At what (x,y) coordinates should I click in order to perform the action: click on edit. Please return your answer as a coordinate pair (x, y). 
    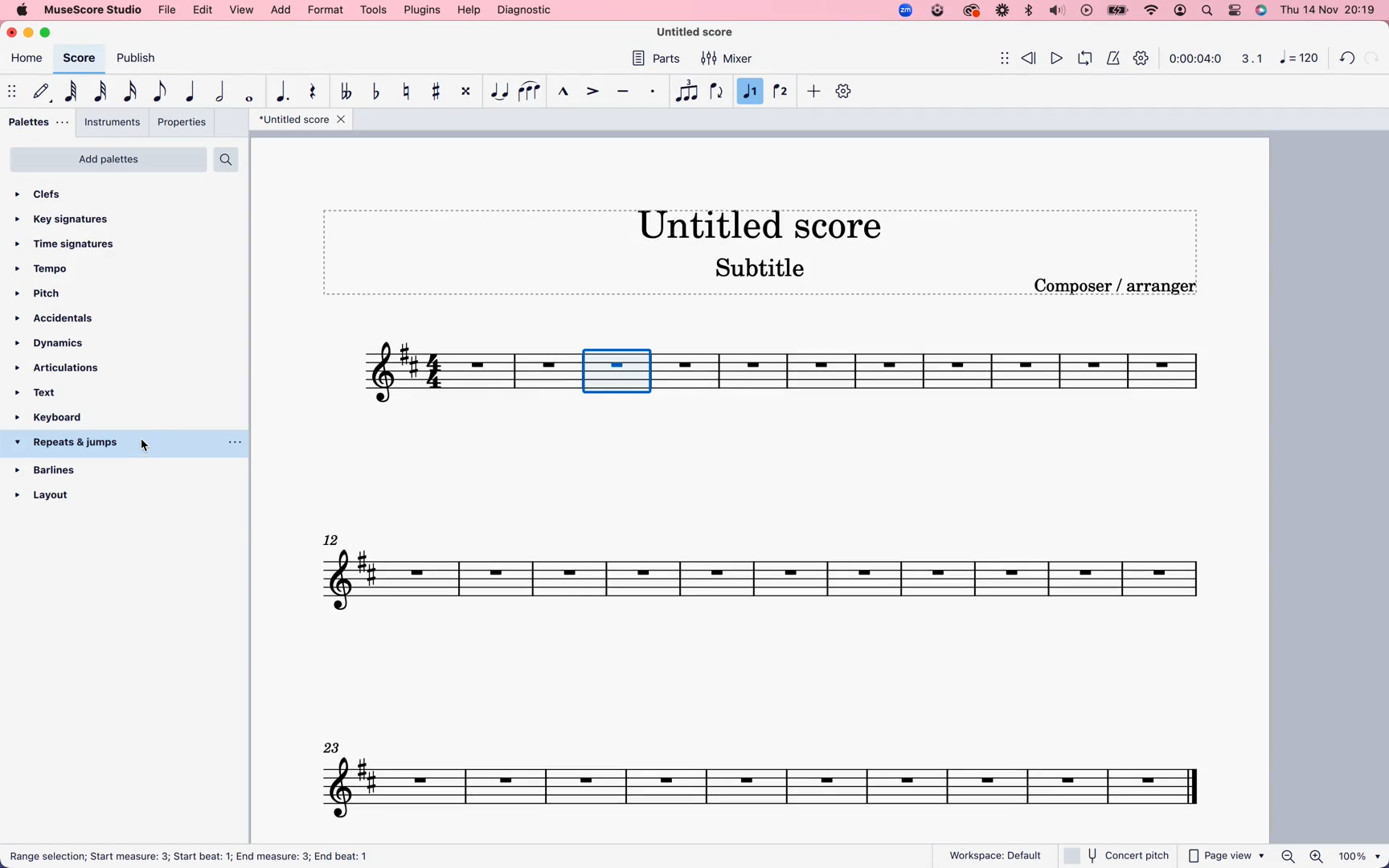
    Looking at the image, I should click on (204, 10).